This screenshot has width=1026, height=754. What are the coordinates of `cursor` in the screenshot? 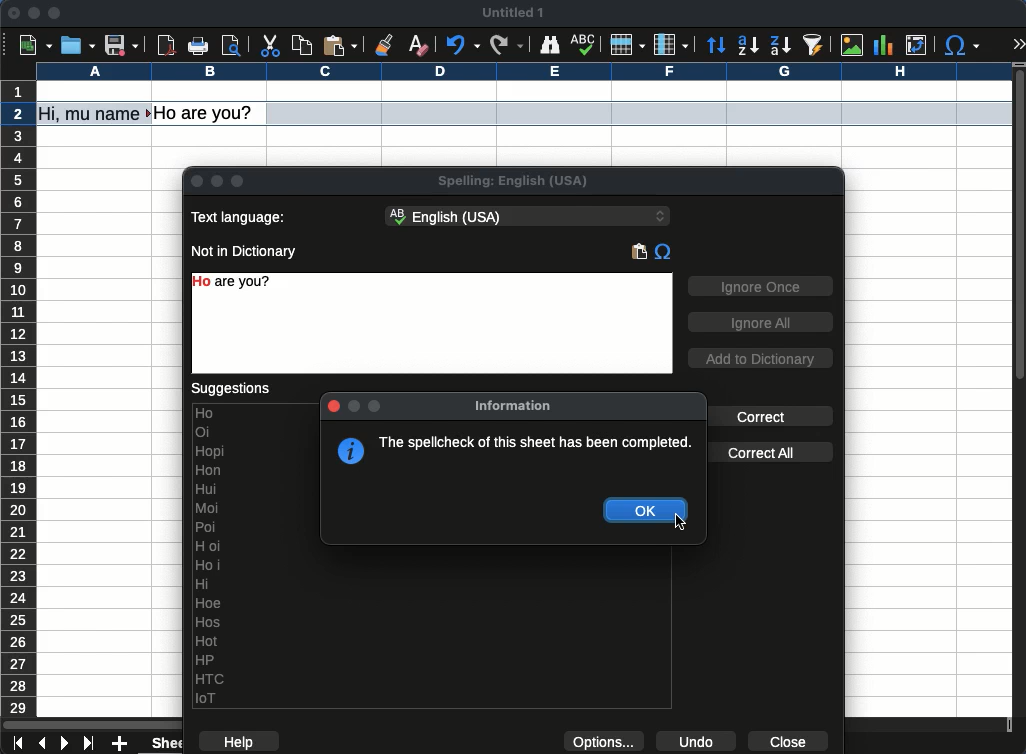 It's located at (681, 524).